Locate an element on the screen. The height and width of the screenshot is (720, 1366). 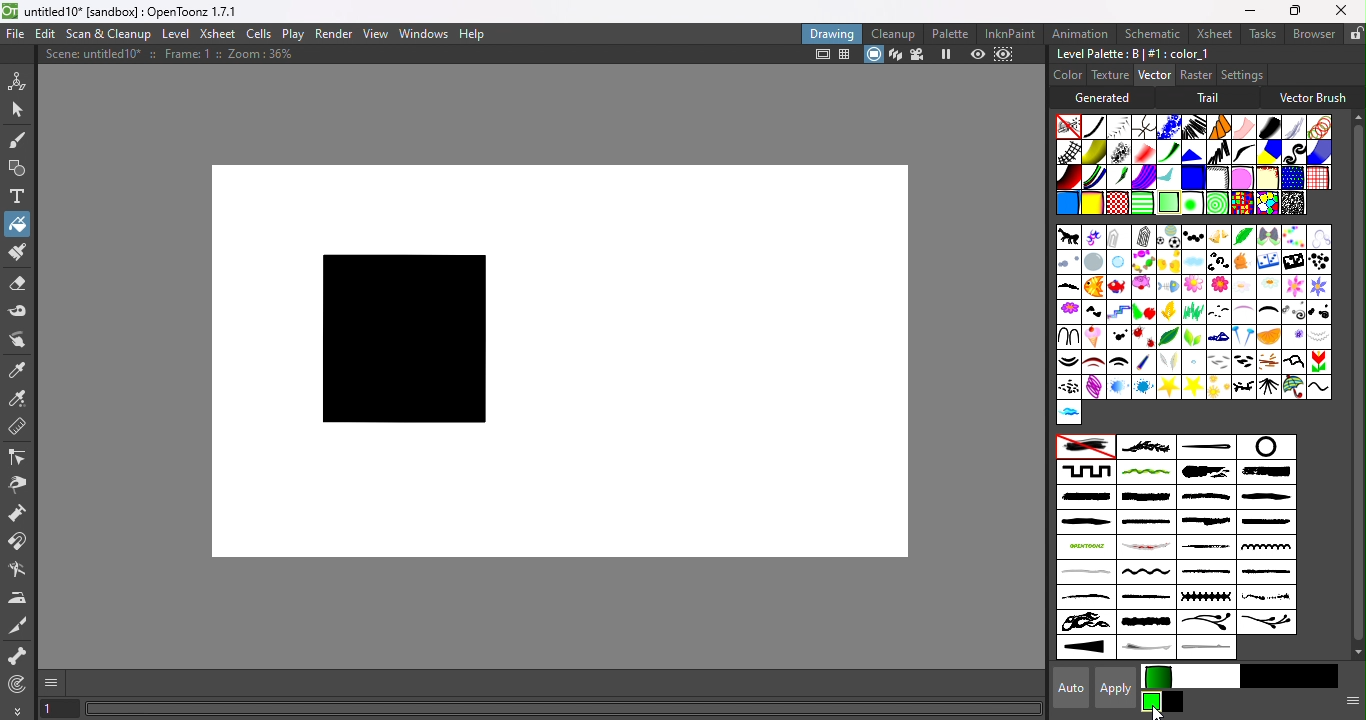
Chain is located at coordinates (1145, 126).